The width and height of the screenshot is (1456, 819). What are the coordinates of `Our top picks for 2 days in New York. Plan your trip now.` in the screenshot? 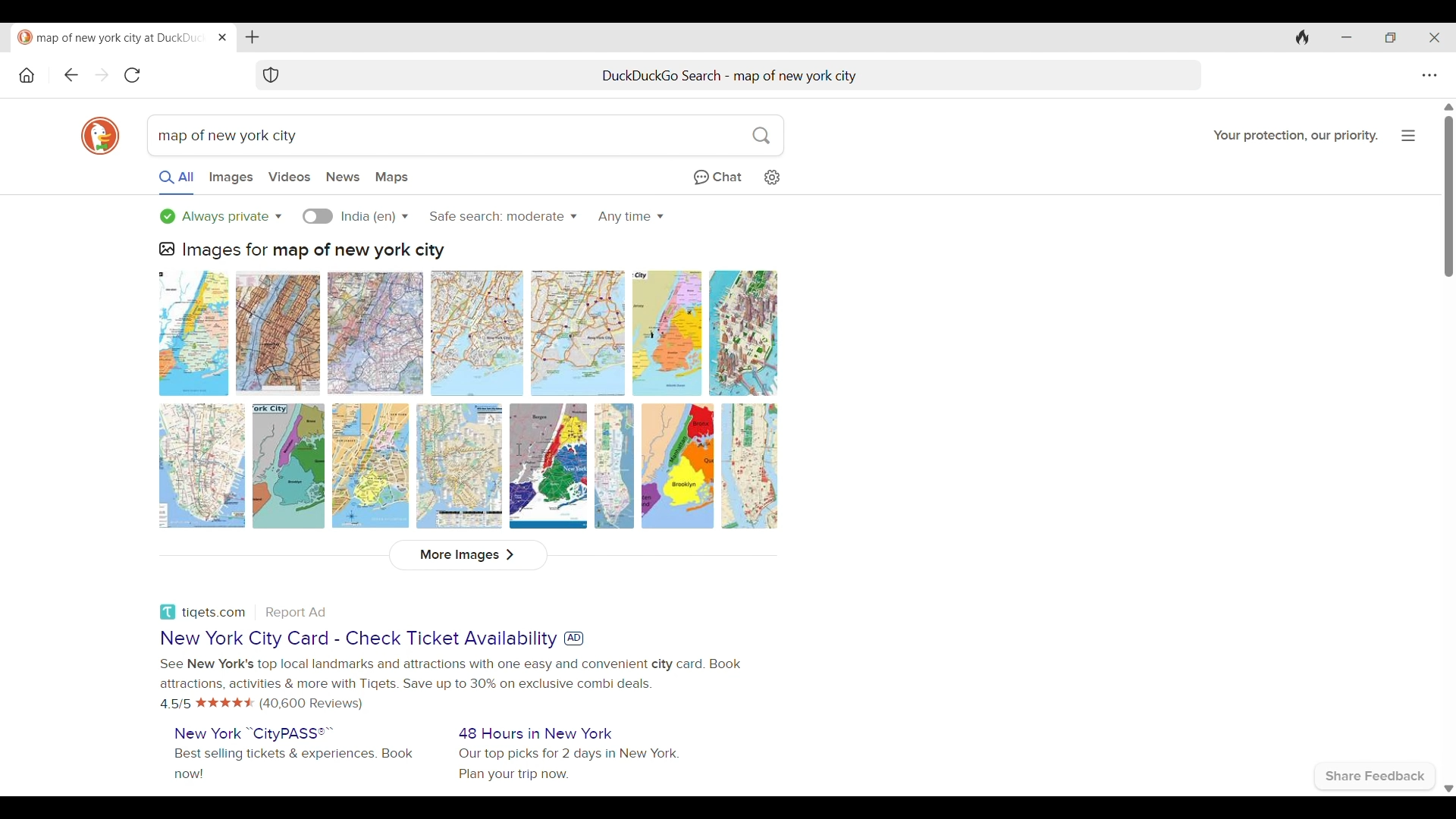 It's located at (568, 765).